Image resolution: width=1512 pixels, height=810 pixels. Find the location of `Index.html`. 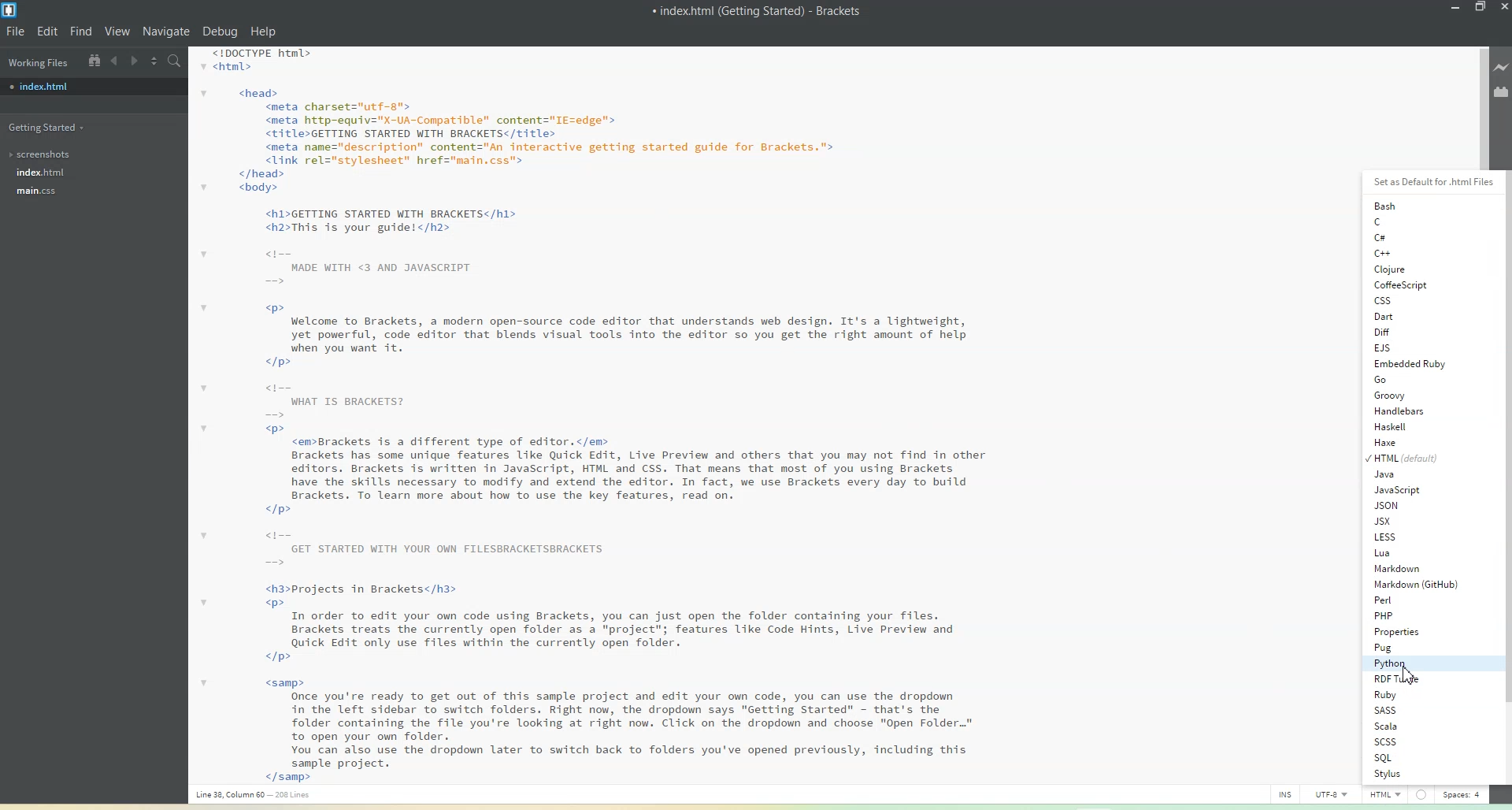

Index.html is located at coordinates (40, 173).